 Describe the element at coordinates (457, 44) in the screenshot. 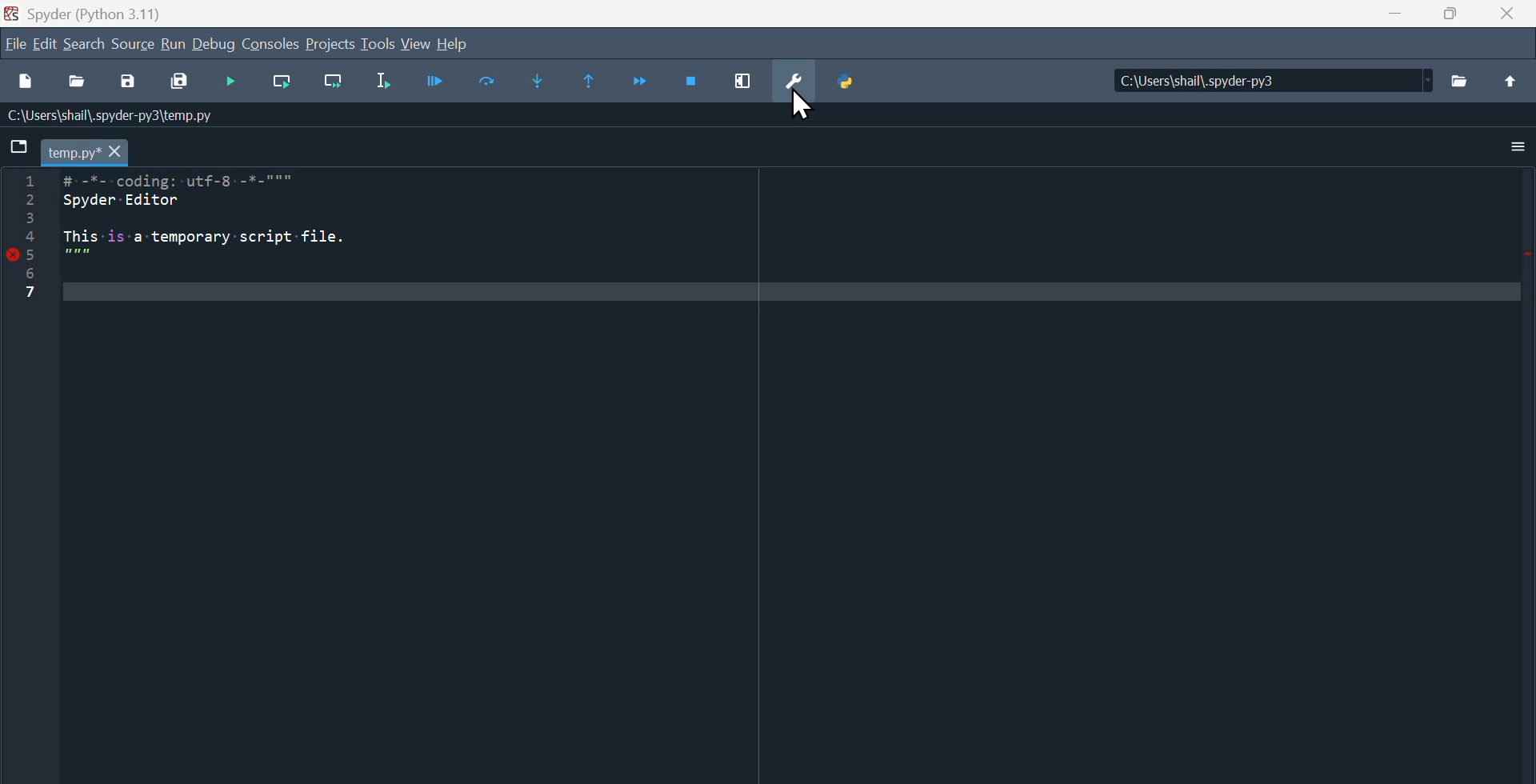

I see `help` at that location.